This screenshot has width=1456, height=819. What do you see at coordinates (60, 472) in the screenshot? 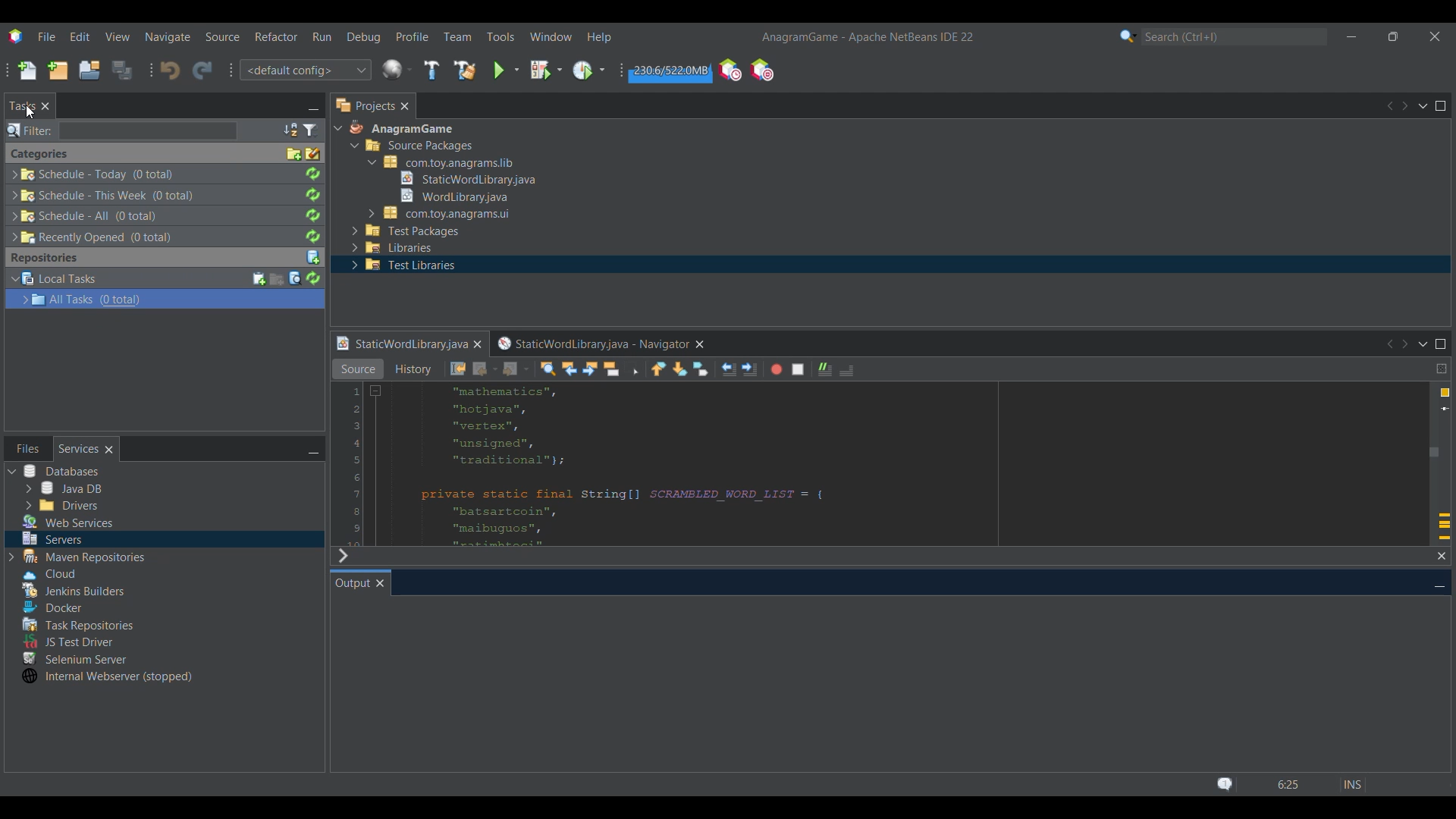
I see `` at bounding box center [60, 472].